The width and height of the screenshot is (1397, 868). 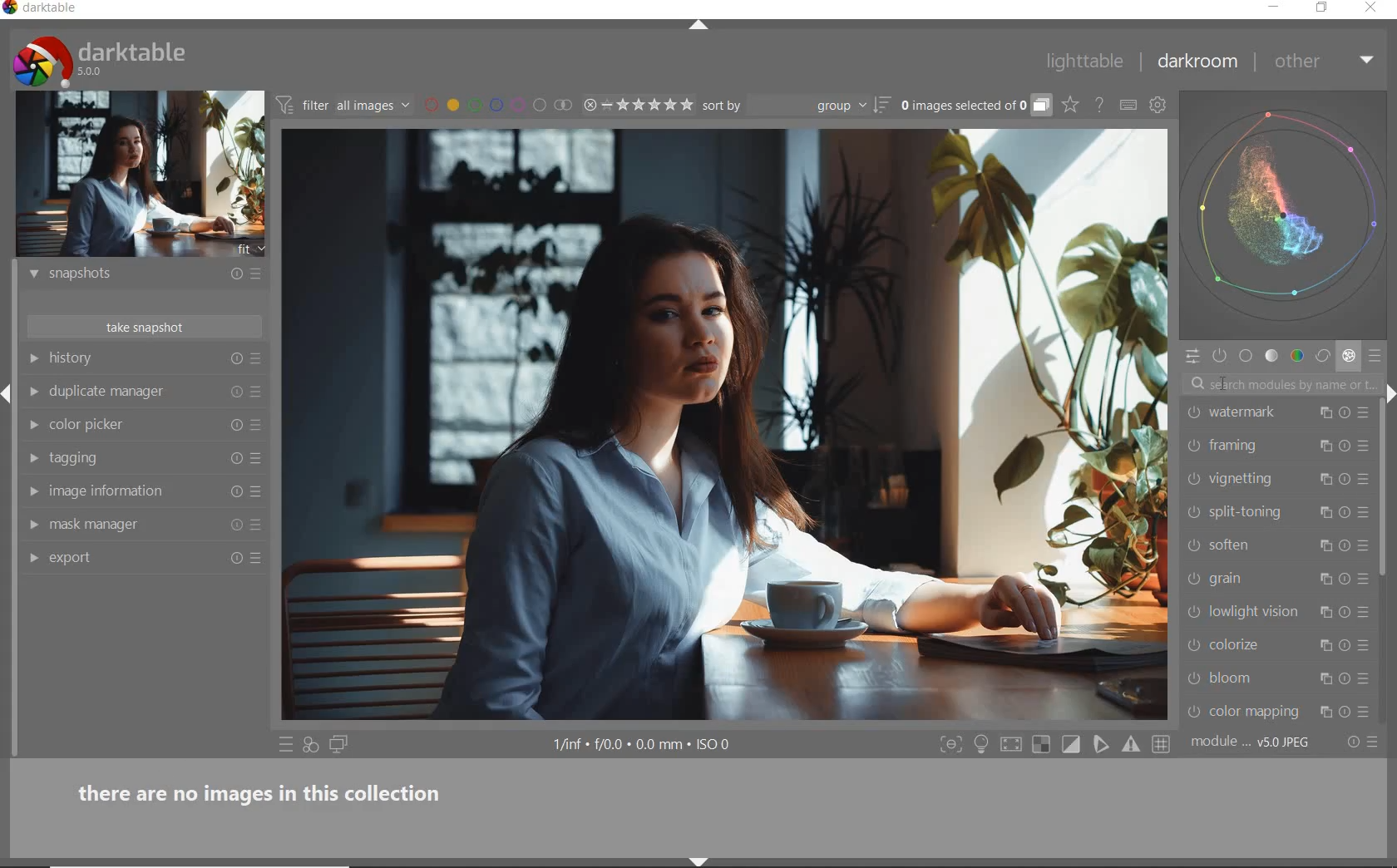 I want to click on base, so click(x=1246, y=358).